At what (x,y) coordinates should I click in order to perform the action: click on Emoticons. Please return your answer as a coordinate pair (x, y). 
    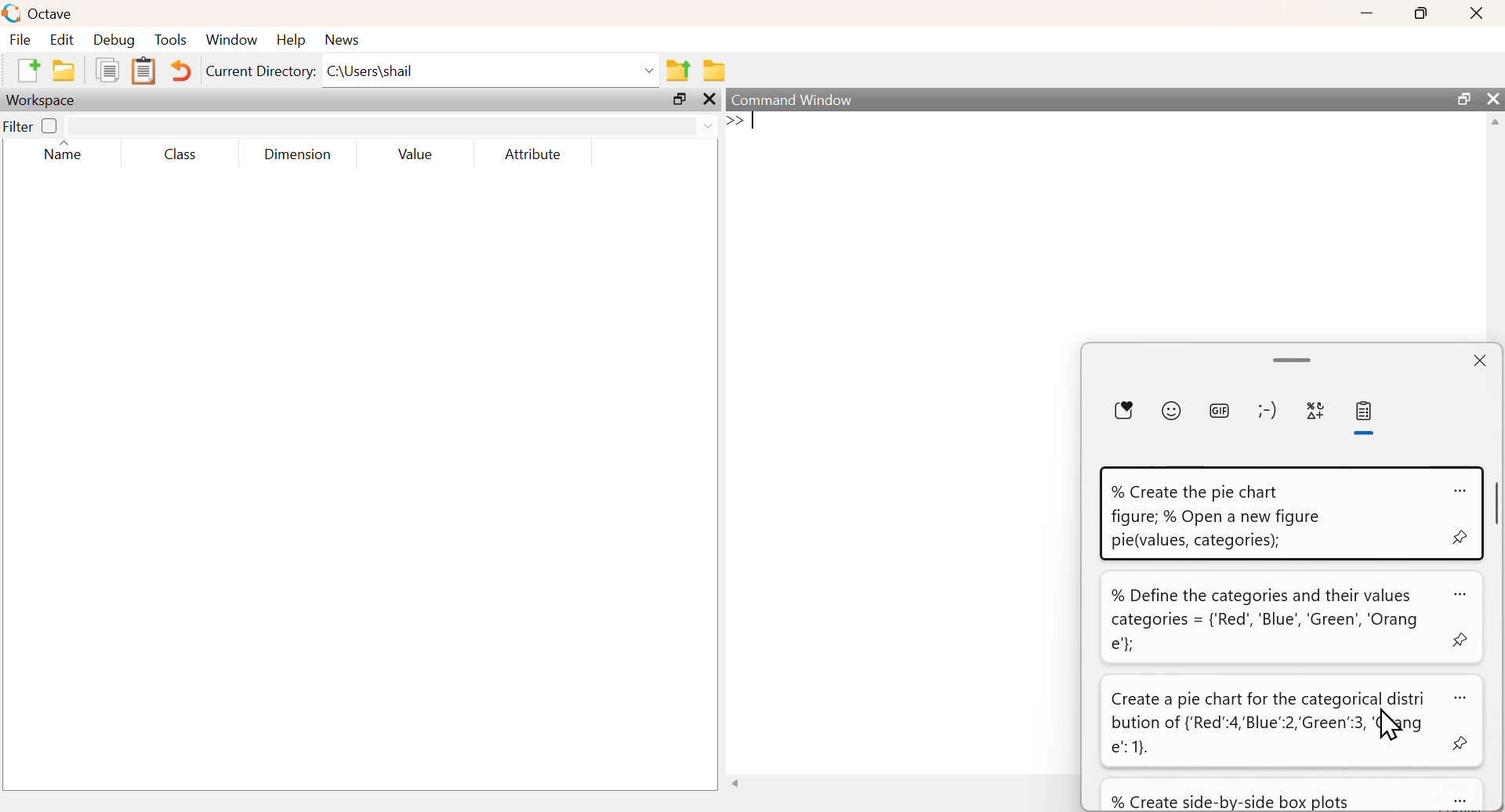
    Looking at the image, I should click on (1267, 410).